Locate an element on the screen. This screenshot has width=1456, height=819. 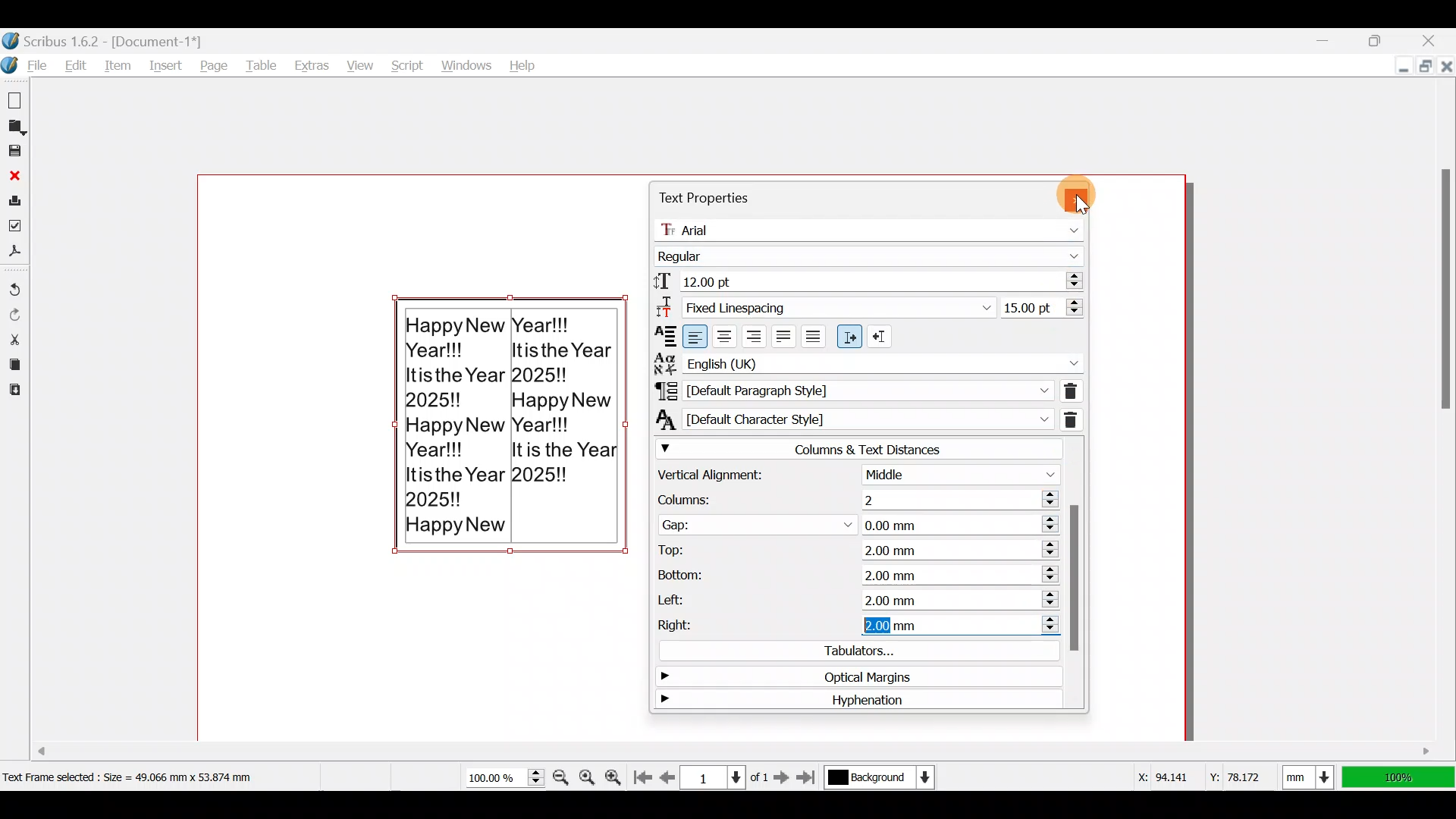
Zoom in by the stepping value in tools preferences is located at coordinates (616, 773).